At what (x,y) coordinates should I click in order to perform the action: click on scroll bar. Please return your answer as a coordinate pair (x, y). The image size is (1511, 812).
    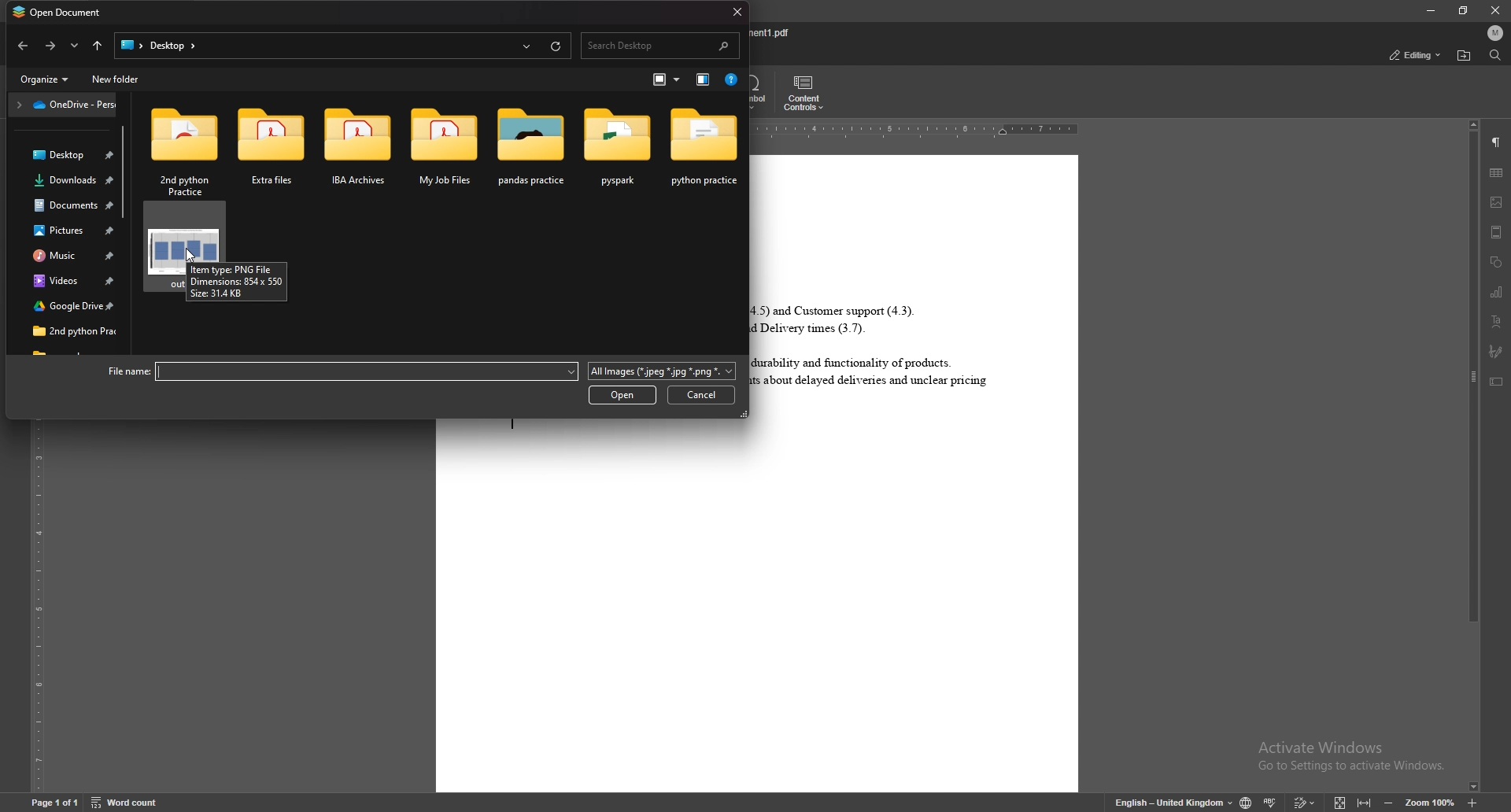
    Looking at the image, I should click on (129, 220).